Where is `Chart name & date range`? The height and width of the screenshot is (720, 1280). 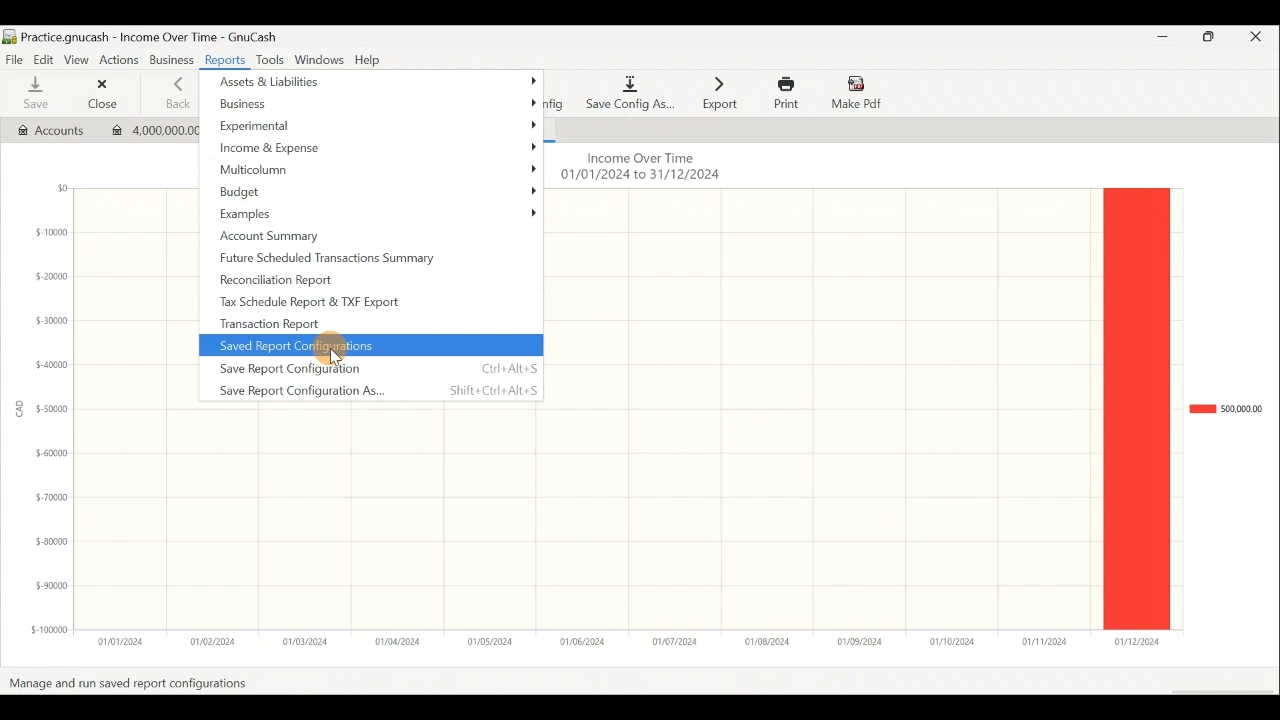
Chart name & date range is located at coordinates (638, 168).